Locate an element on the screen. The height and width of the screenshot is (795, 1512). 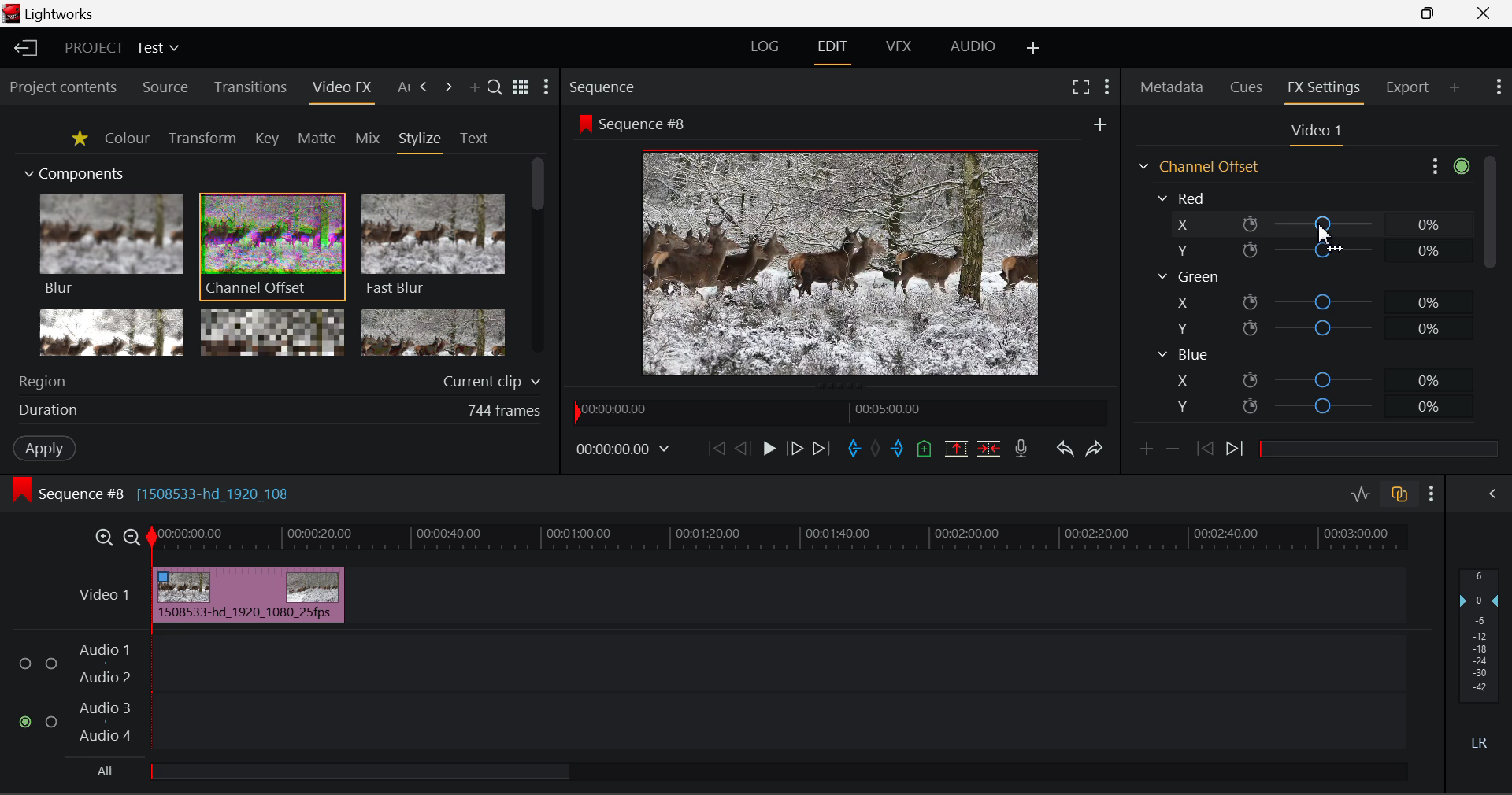
Channel Offset is located at coordinates (1196, 166).